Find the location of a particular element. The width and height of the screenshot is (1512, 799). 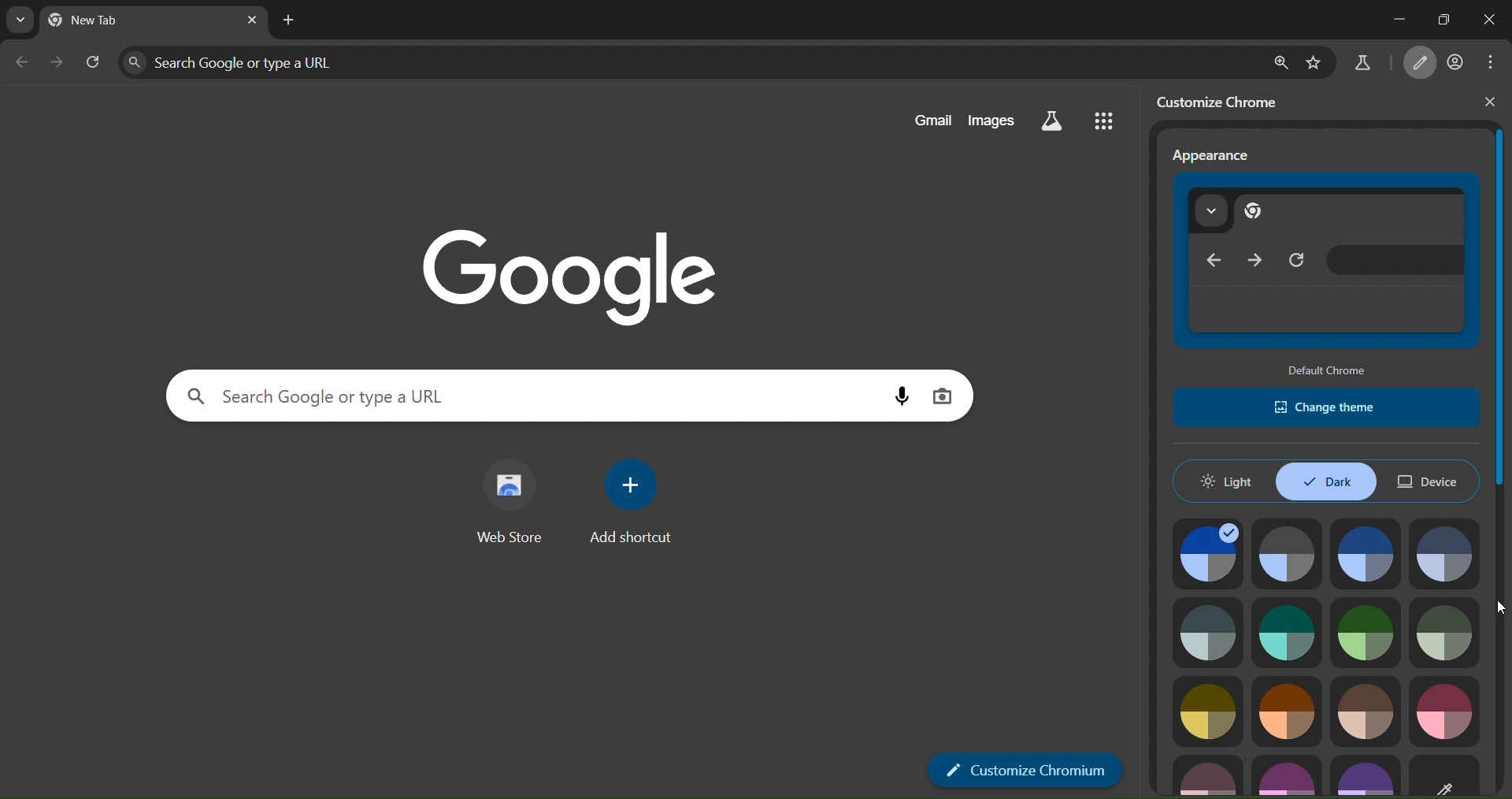

light is located at coordinates (1228, 482).